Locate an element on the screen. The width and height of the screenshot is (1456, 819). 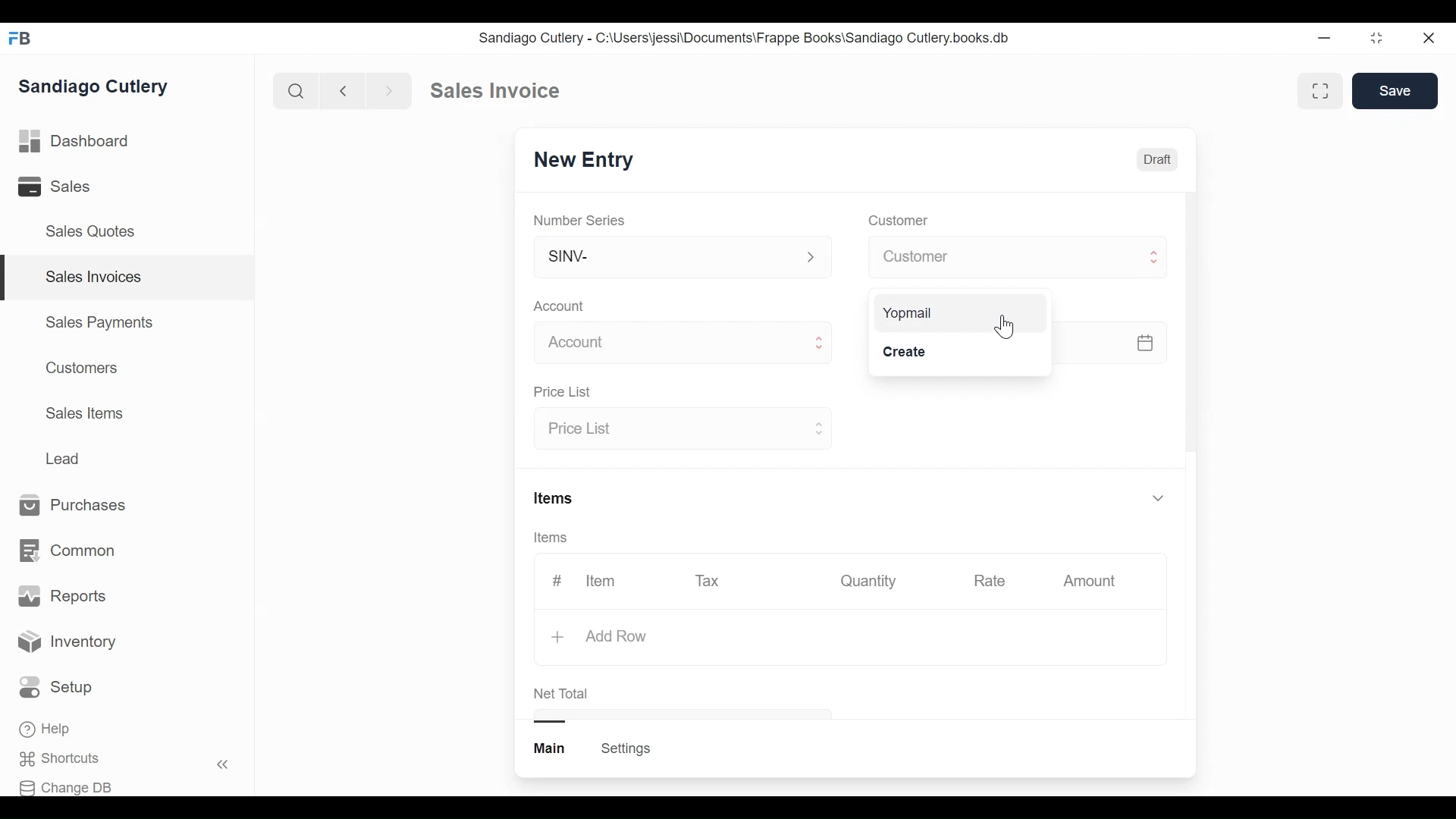
« is located at coordinates (223, 767).